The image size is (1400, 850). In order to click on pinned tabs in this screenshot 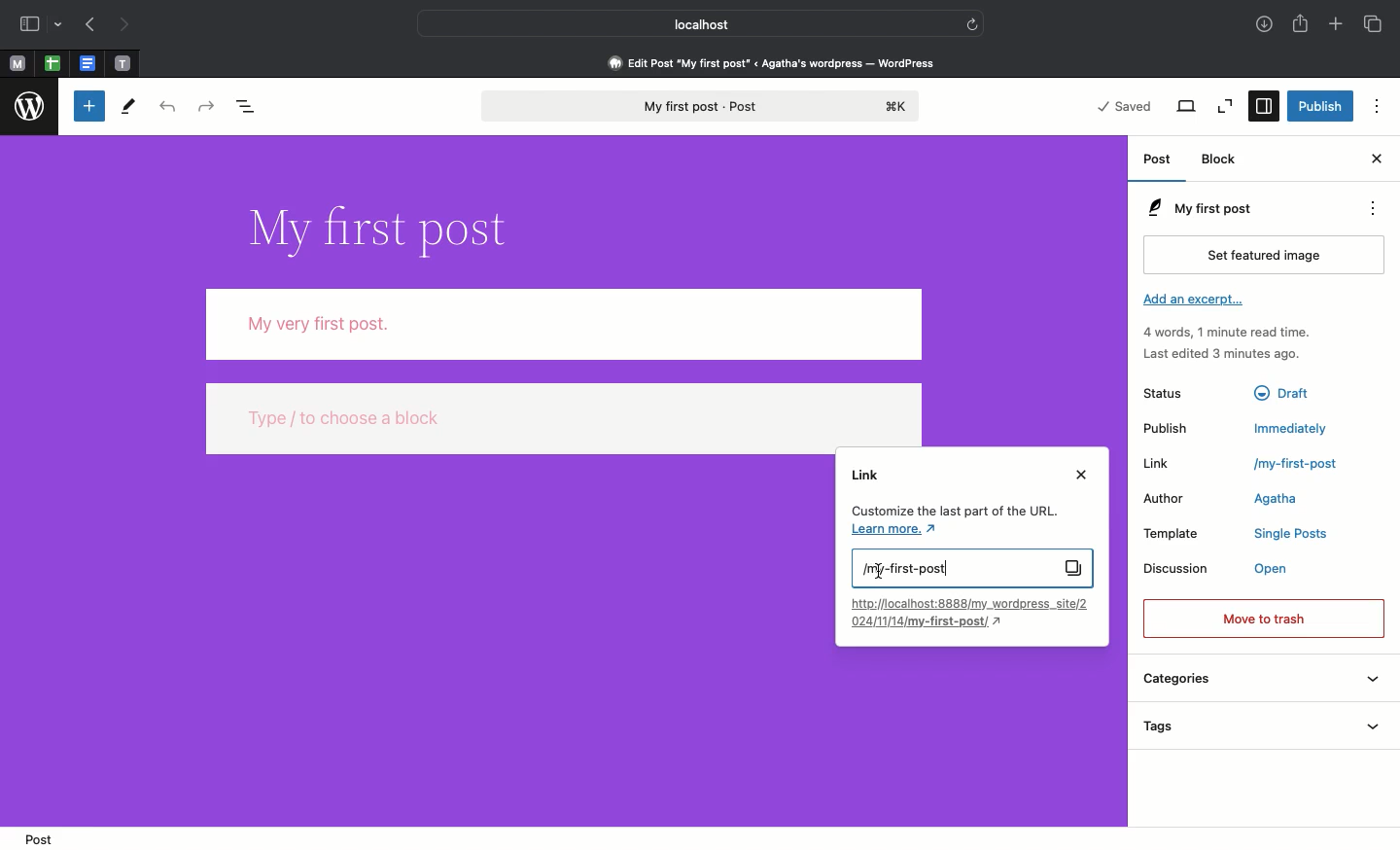, I will do `click(87, 64)`.